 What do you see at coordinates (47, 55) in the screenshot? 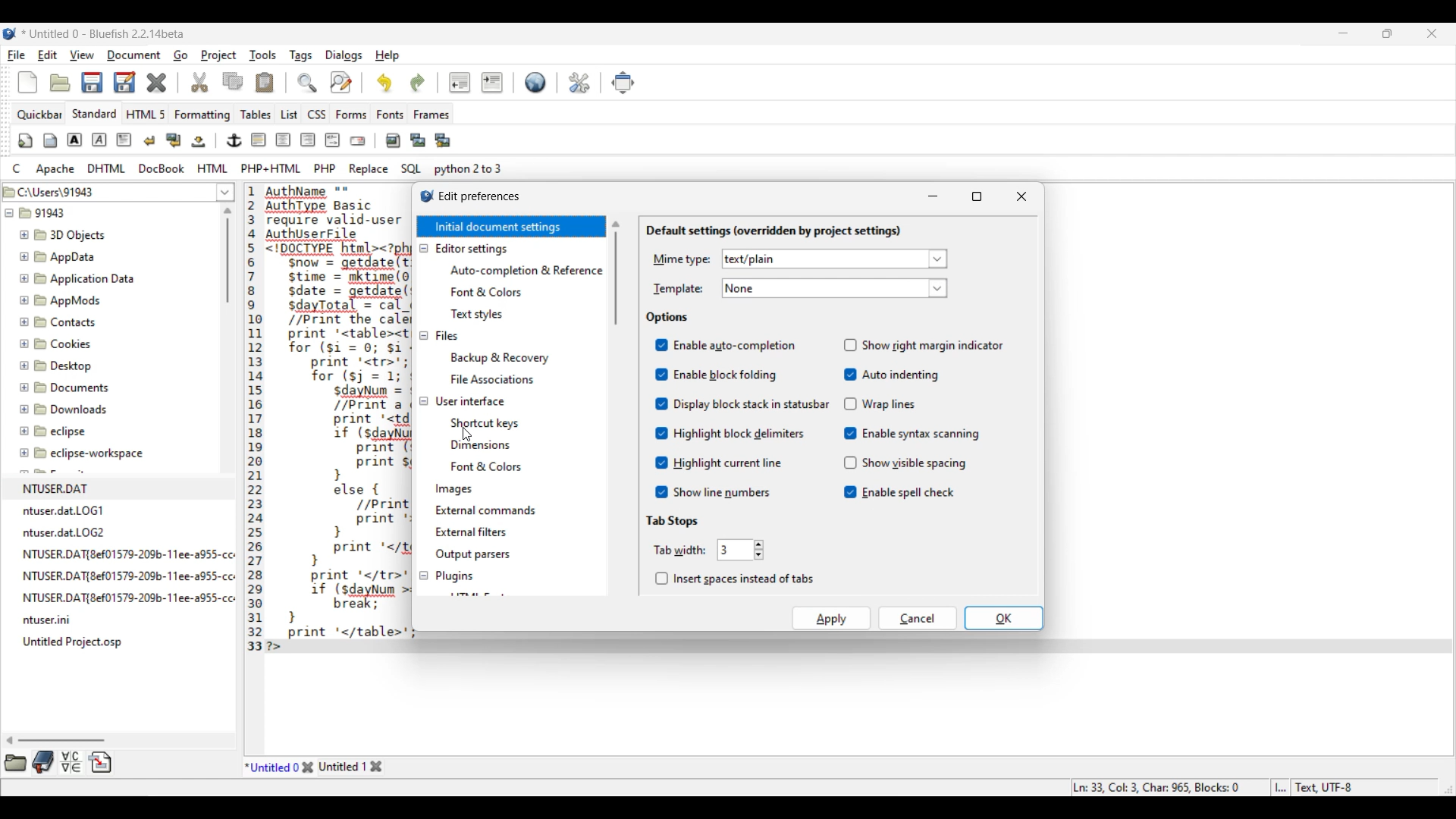
I see `Edit menu` at bounding box center [47, 55].